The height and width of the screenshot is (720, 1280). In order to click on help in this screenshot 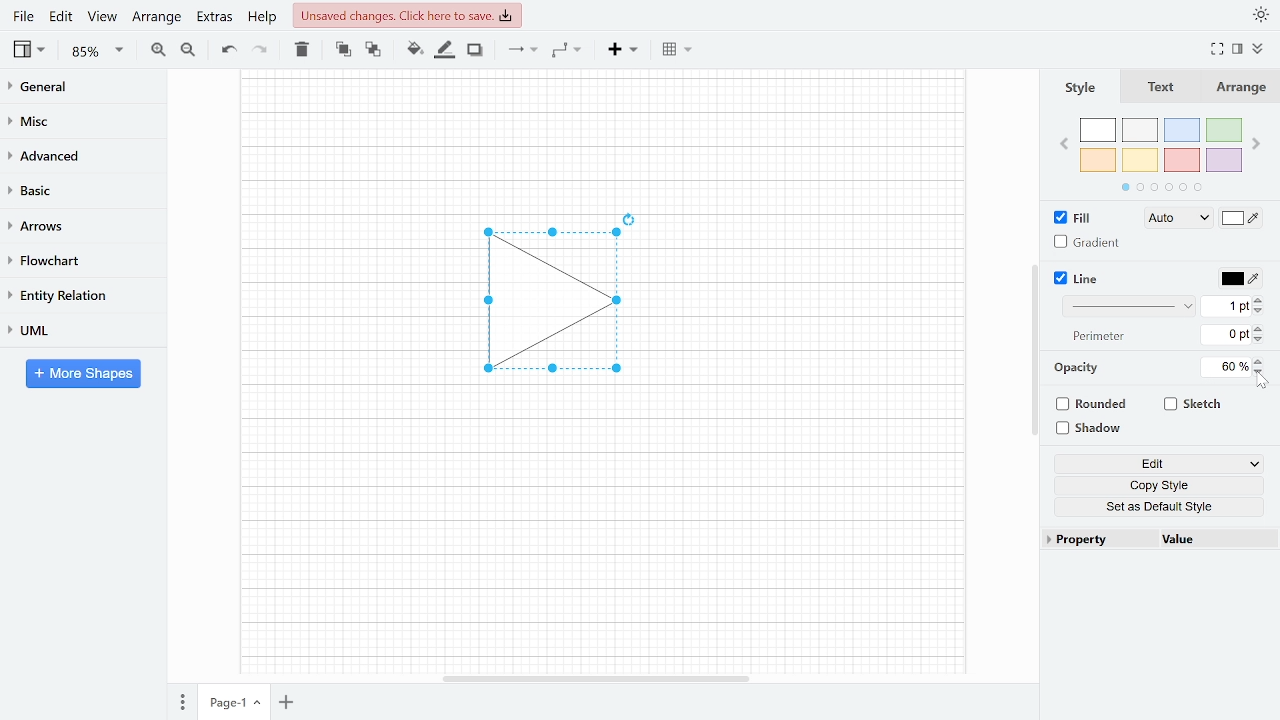, I will do `click(264, 16)`.